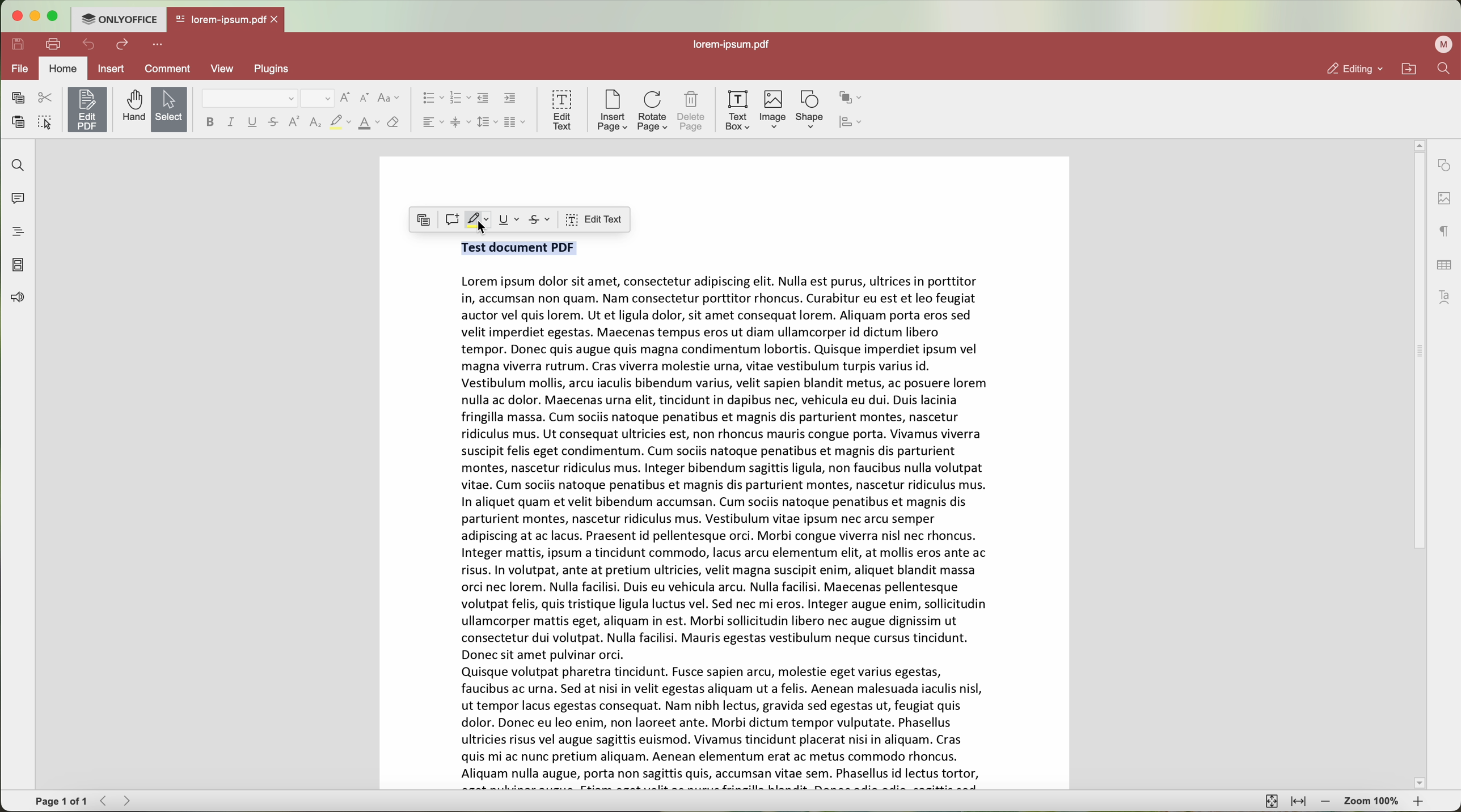 Image resolution: width=1461 pixels, height=812 pixels. I want to click on open file location, so click(1410, 69).